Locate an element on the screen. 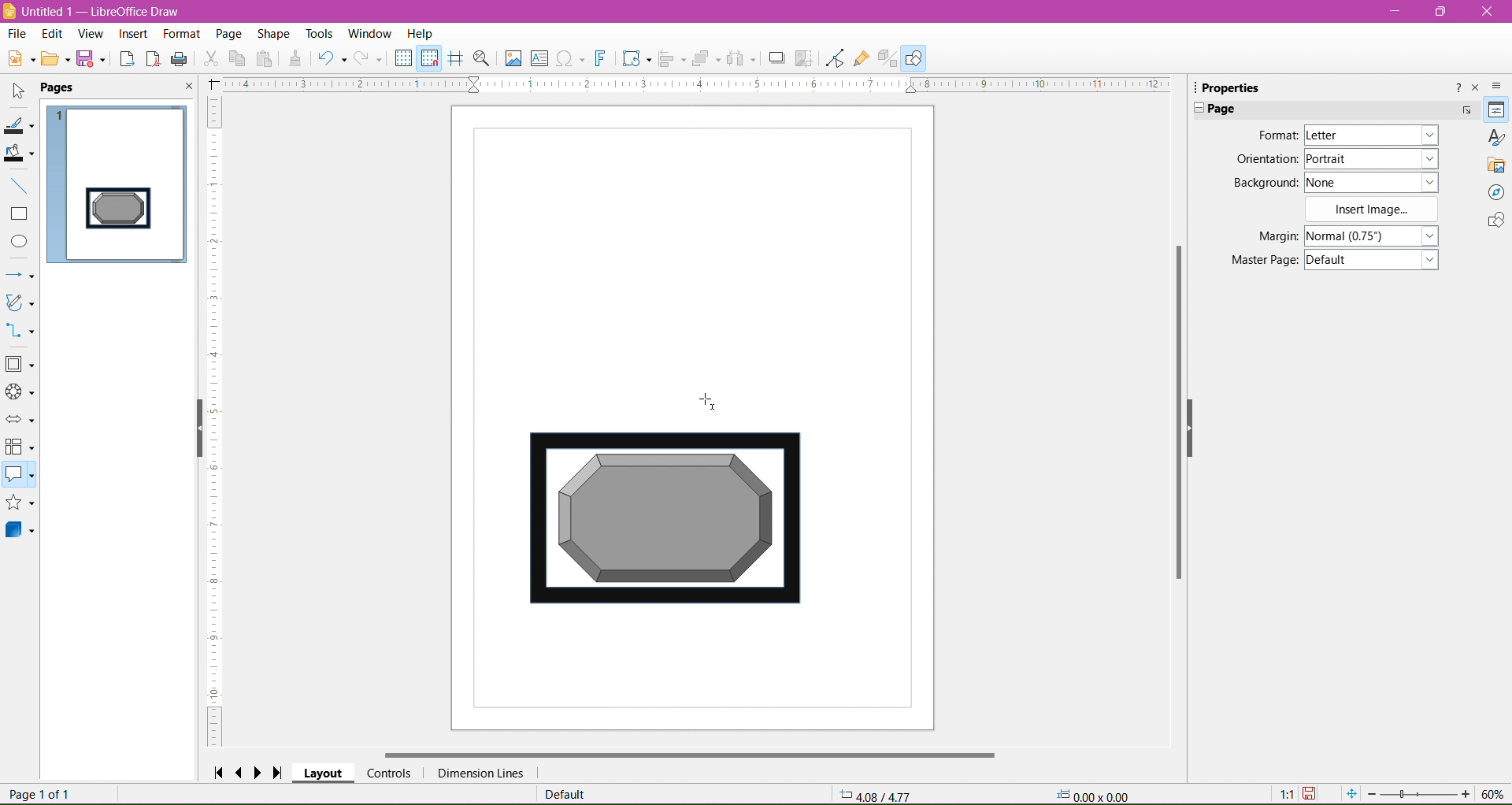  Undo is located at coordinates (332, 57).